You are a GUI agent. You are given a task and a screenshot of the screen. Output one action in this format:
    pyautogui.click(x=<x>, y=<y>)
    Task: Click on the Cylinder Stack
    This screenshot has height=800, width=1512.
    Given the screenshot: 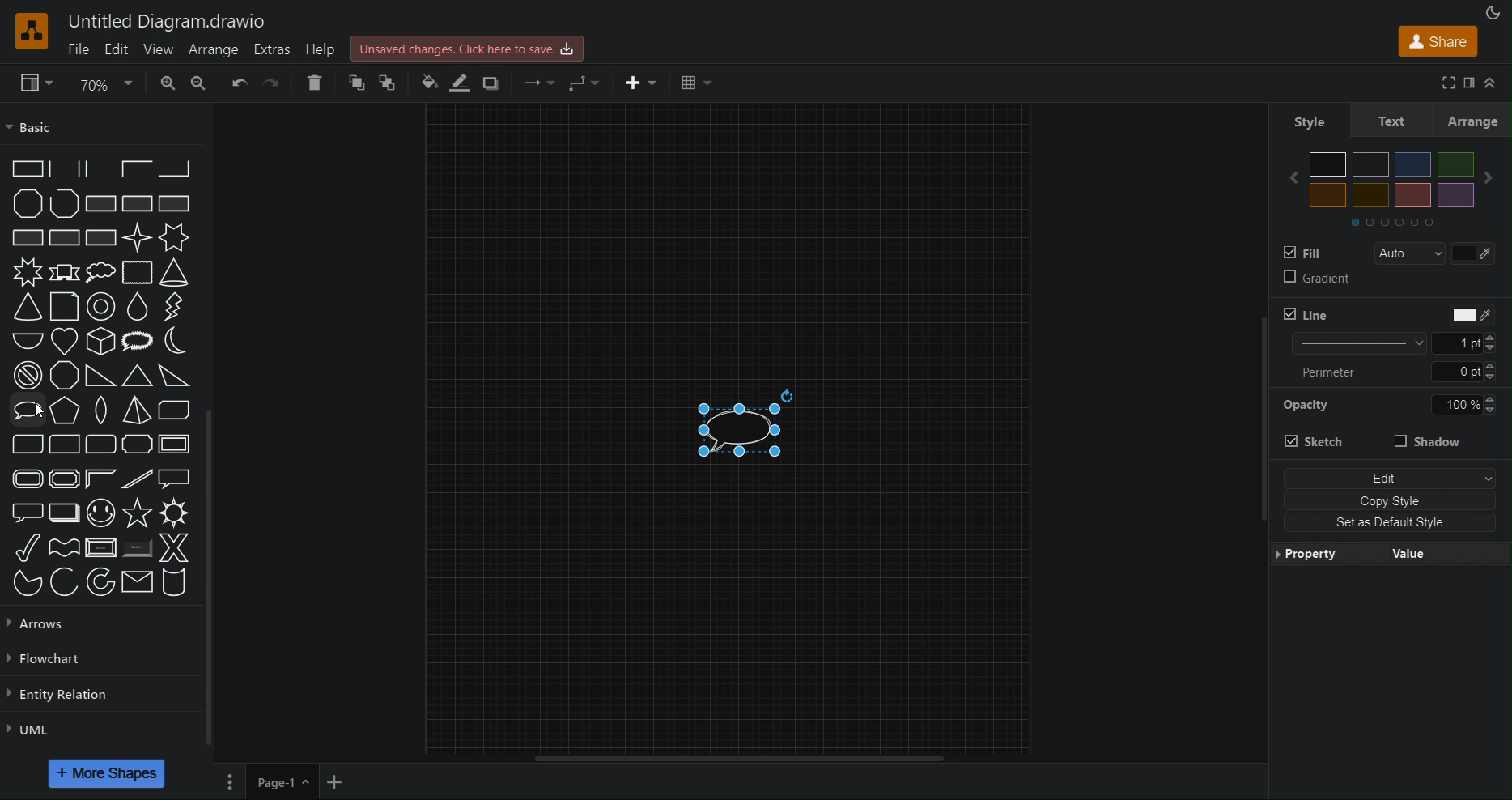 What is the action you would take?
    pyautogui.click(x=174, y=581)
    